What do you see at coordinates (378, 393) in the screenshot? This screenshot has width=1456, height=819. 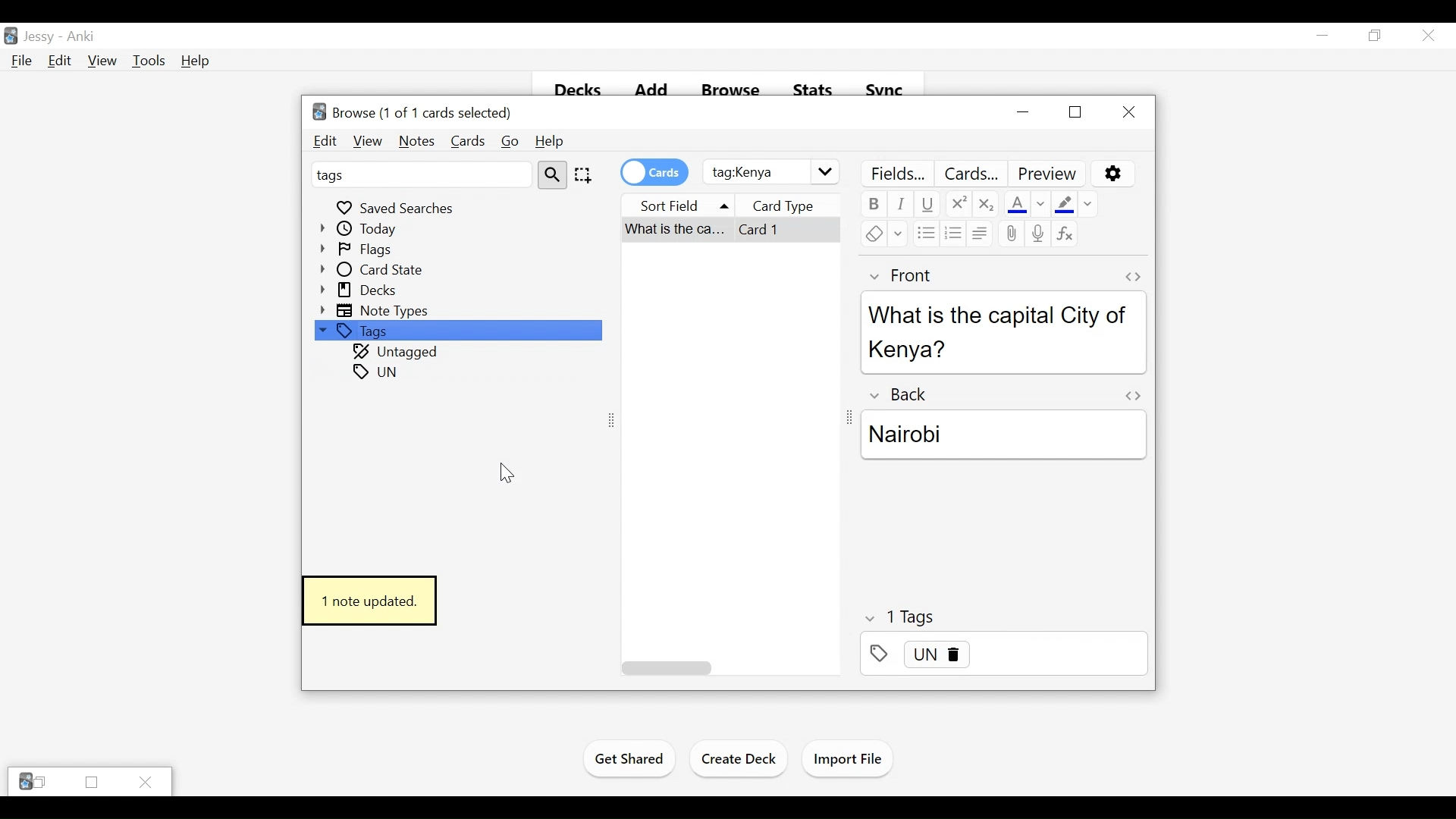 I see `tags` at bounding box center [378, 393].